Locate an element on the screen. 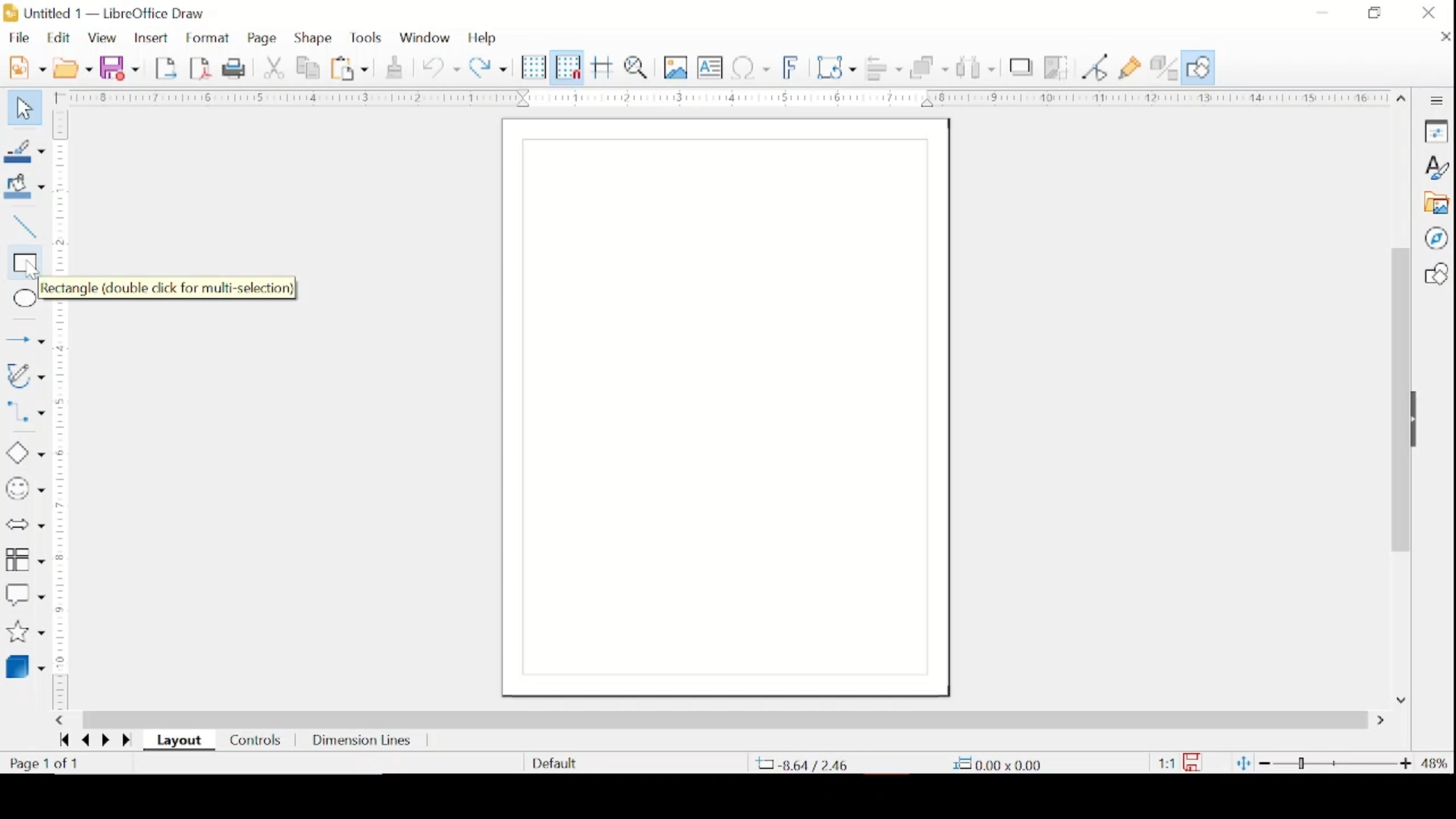  dimension lines is located at coordinates (363, 742).